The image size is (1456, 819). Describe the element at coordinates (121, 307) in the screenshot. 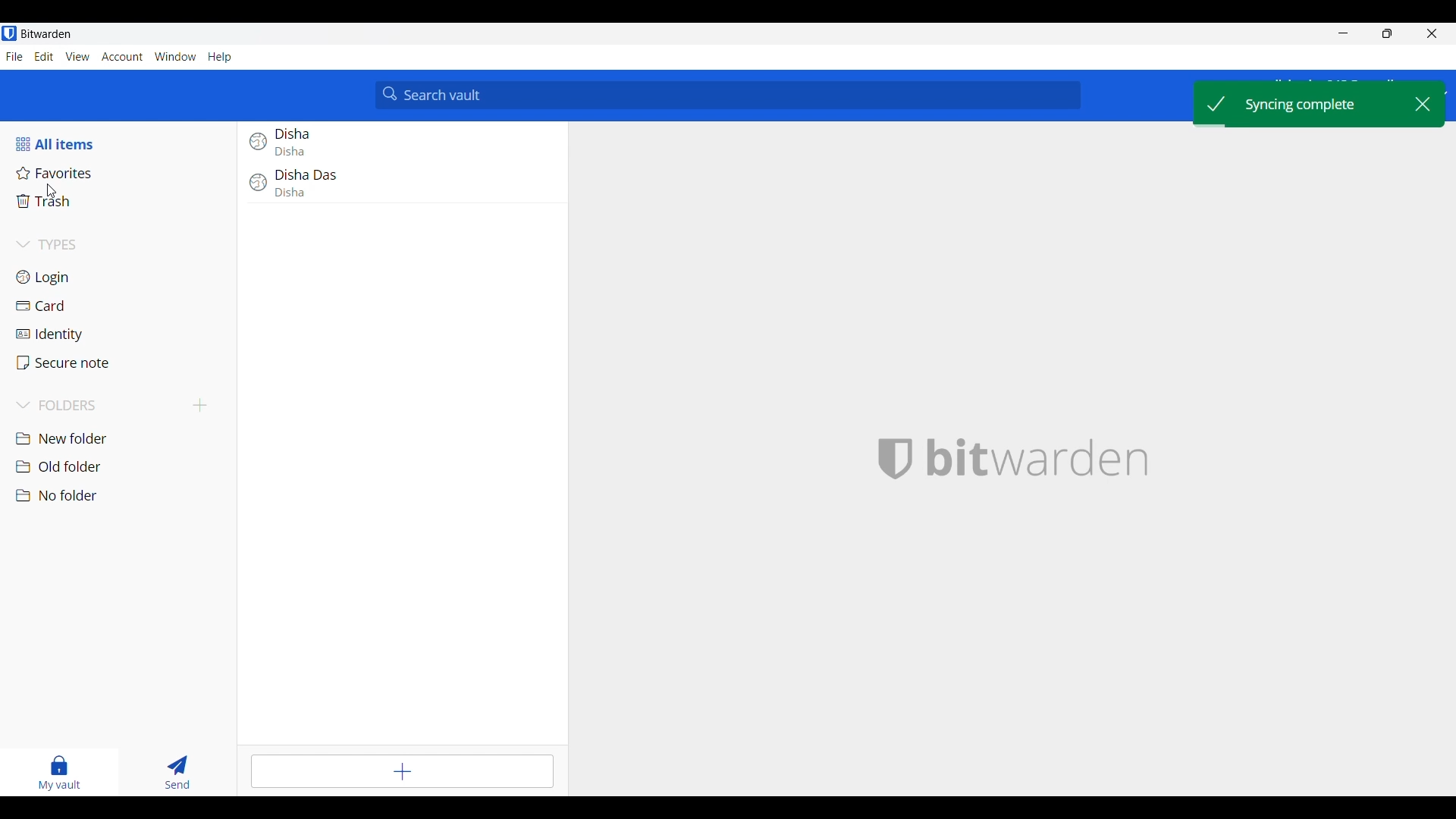

I see `Card` at that location.